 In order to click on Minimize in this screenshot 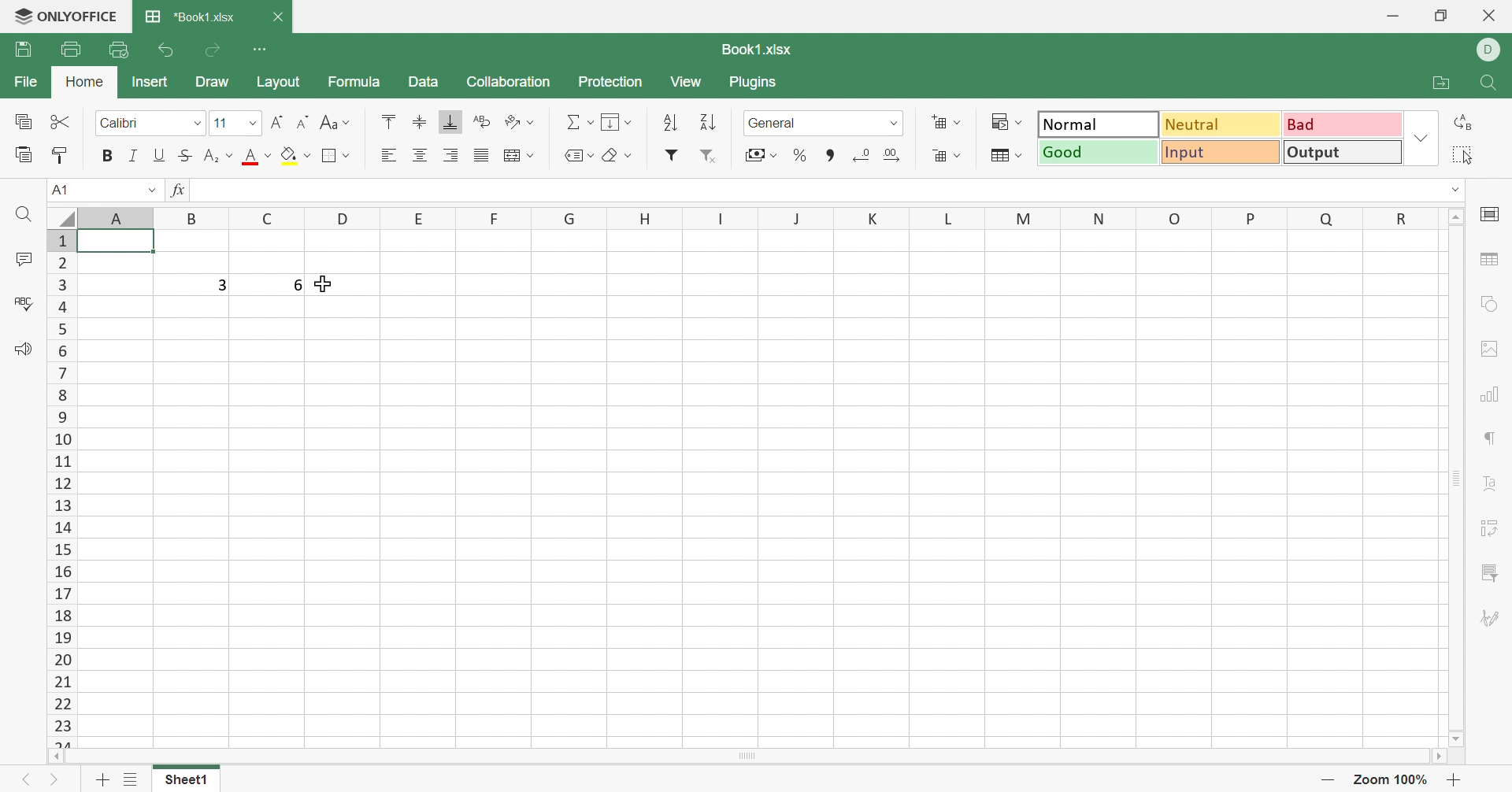, I will do `click(1396, 13)`.